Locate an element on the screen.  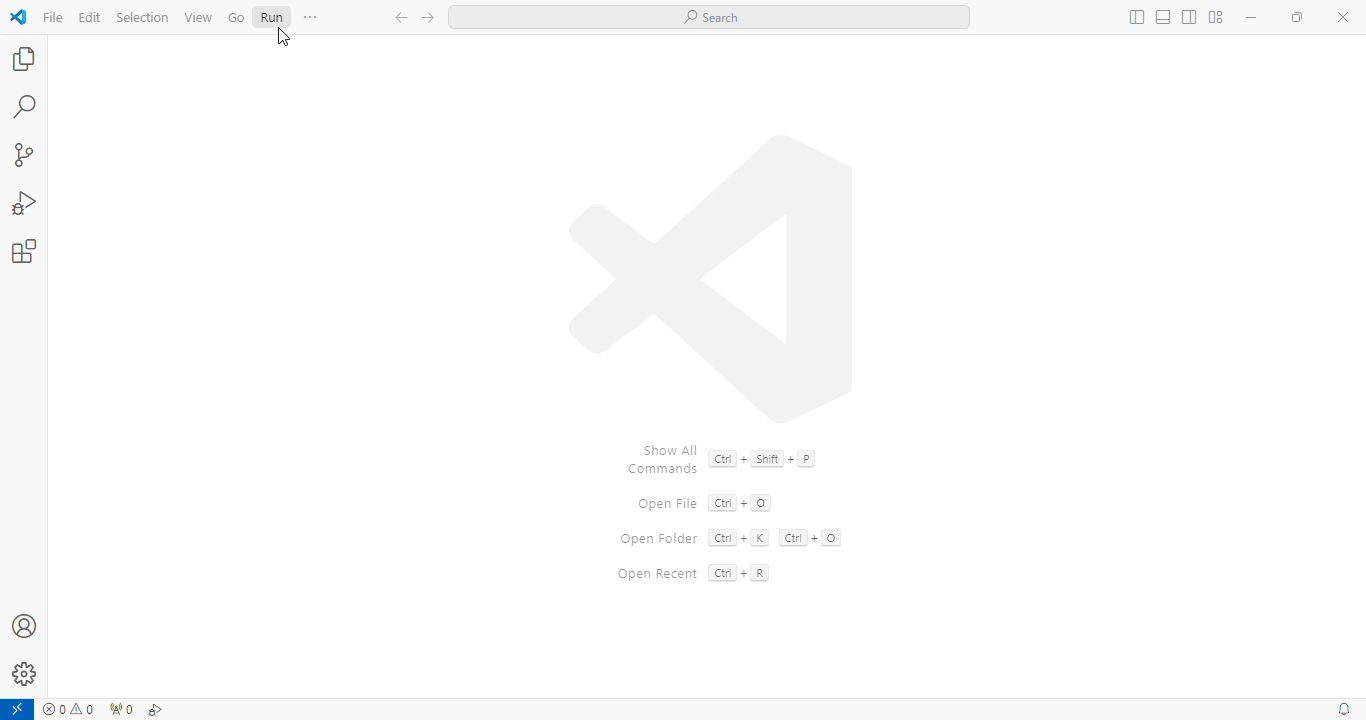
show all commands is located at coordinates (663, 457).